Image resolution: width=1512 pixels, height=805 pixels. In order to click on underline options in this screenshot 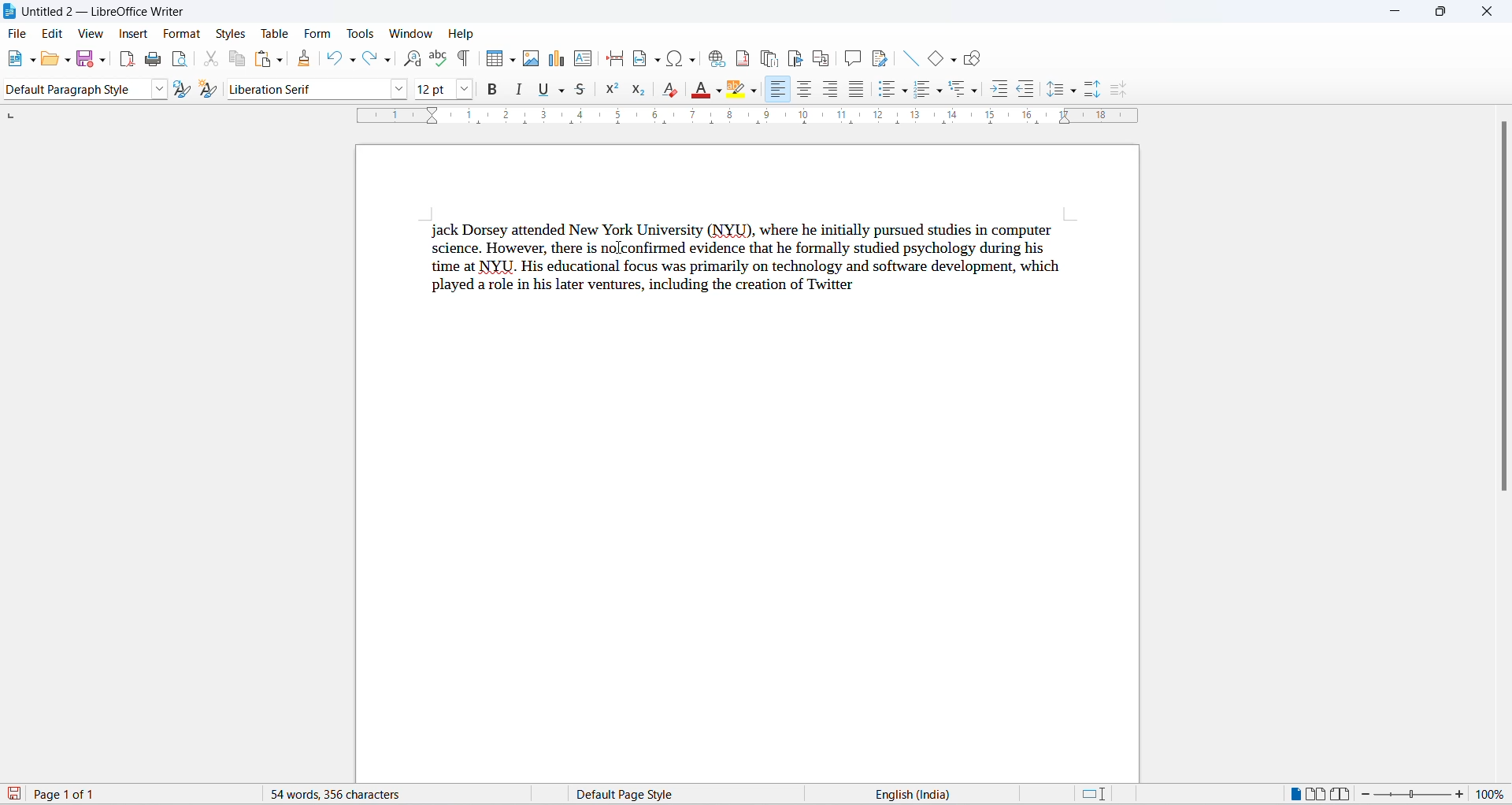, I will do `click(560, 91)`.